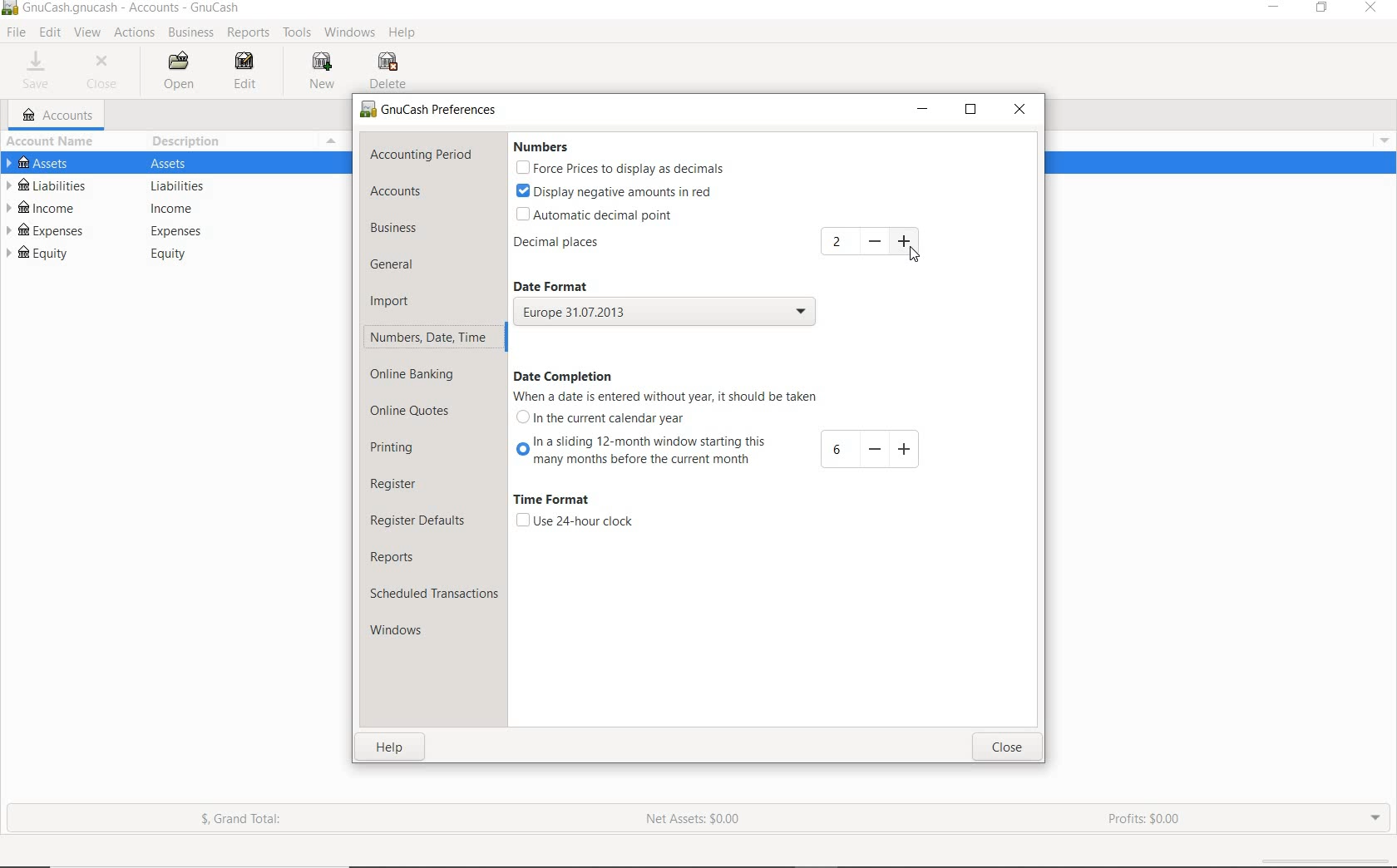 The height and width of the screenshot is (868, 1397). Describe the element at coordinates (189, 141) in the screenshot. I see `DESCRIPTION` at that location.